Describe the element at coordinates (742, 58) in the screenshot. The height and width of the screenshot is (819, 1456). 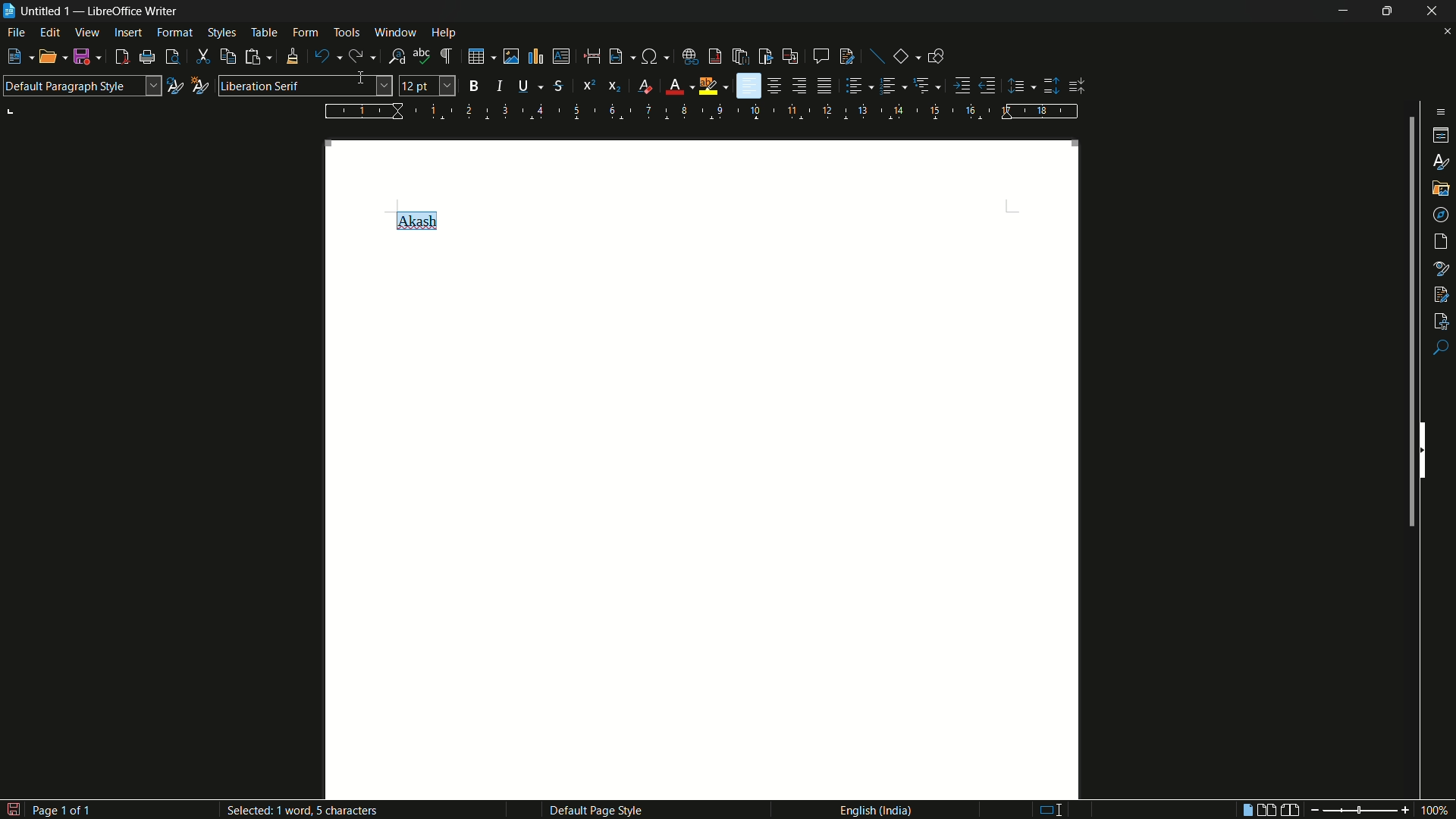
I see `insert end note` at that location.